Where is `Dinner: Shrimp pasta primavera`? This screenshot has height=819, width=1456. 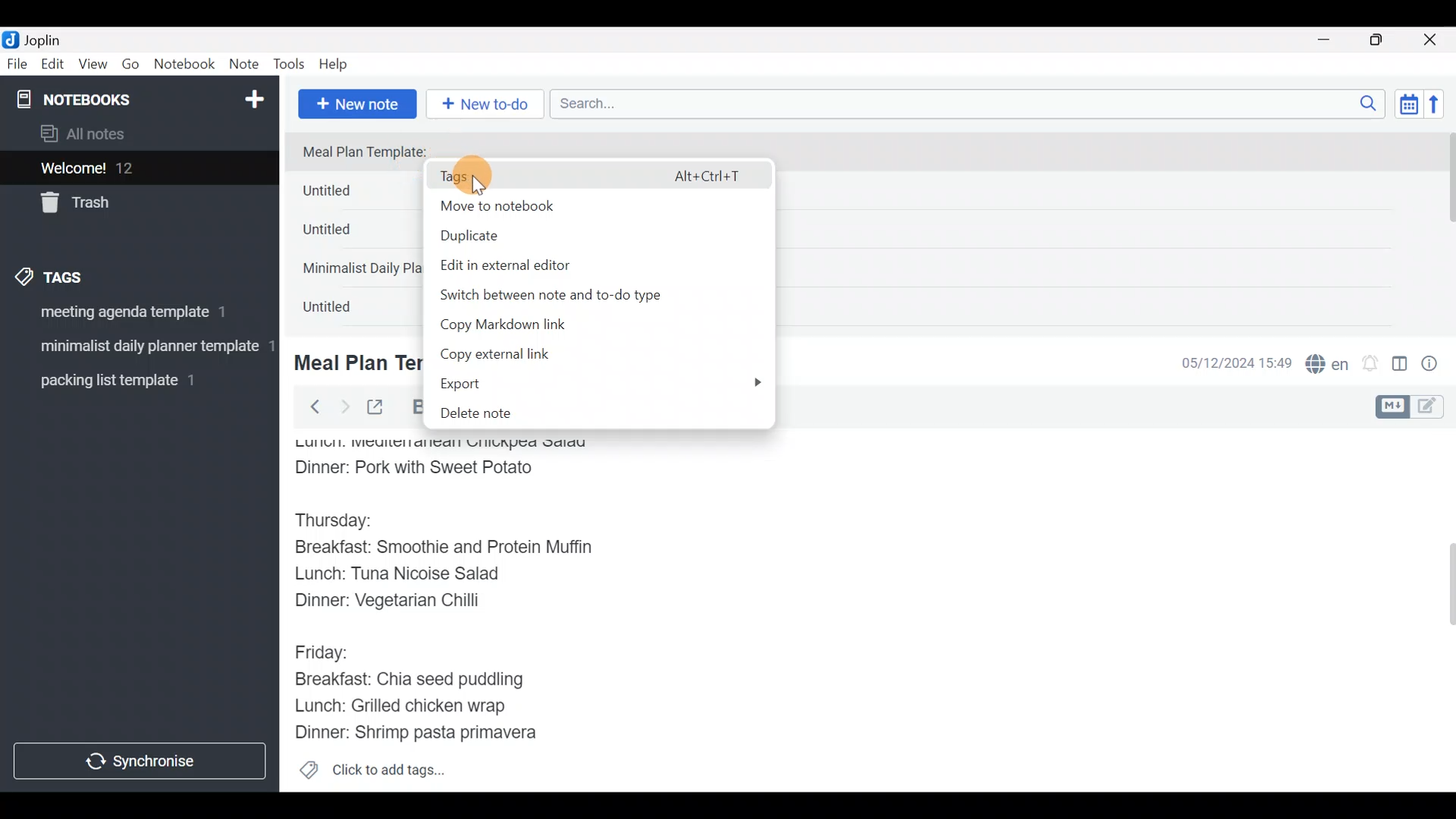
Dinner: Shrimp pasta primavera is located at coordinates (431, 734).